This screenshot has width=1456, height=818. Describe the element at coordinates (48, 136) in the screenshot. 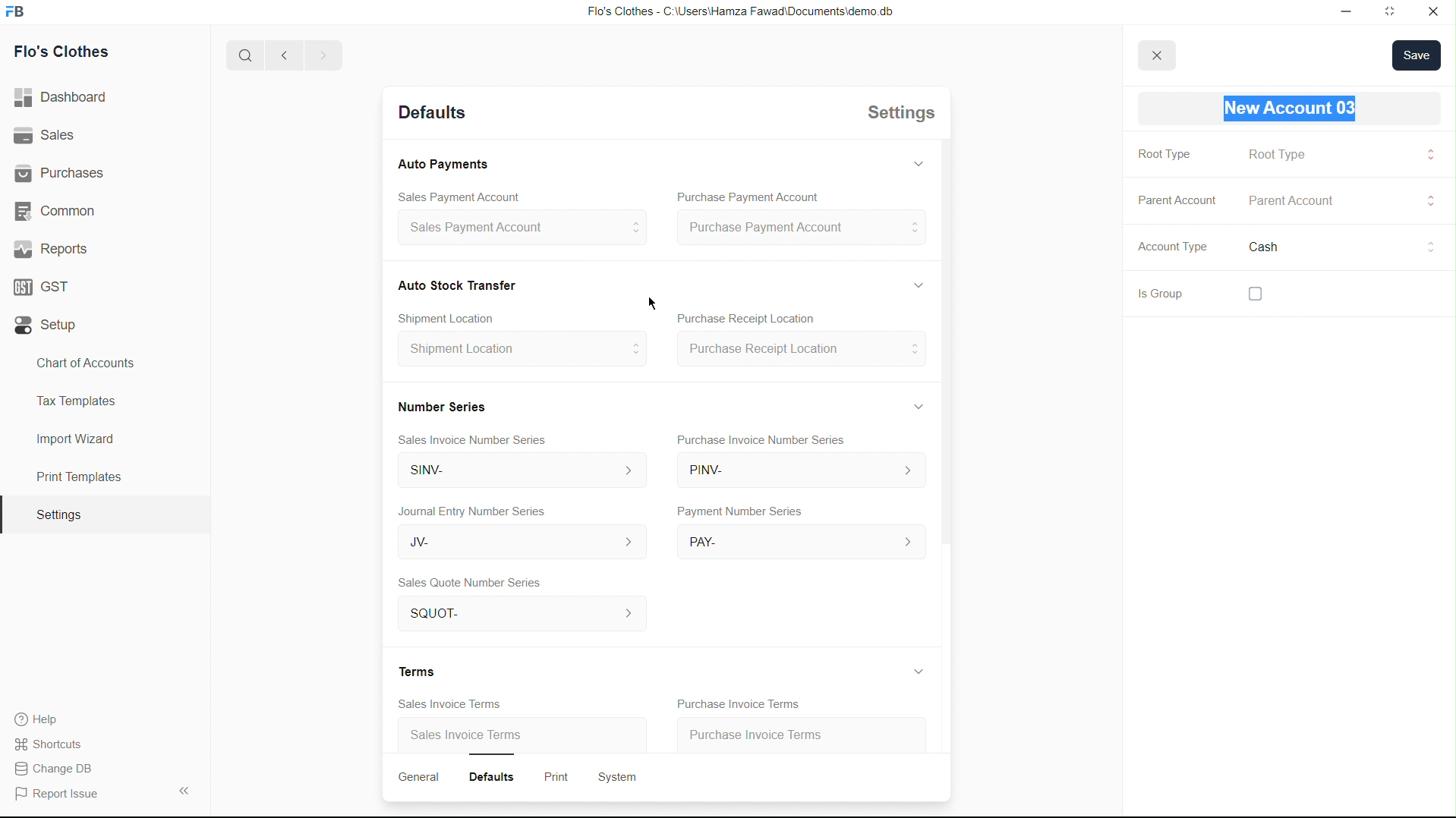

I see `Sales` at that location.